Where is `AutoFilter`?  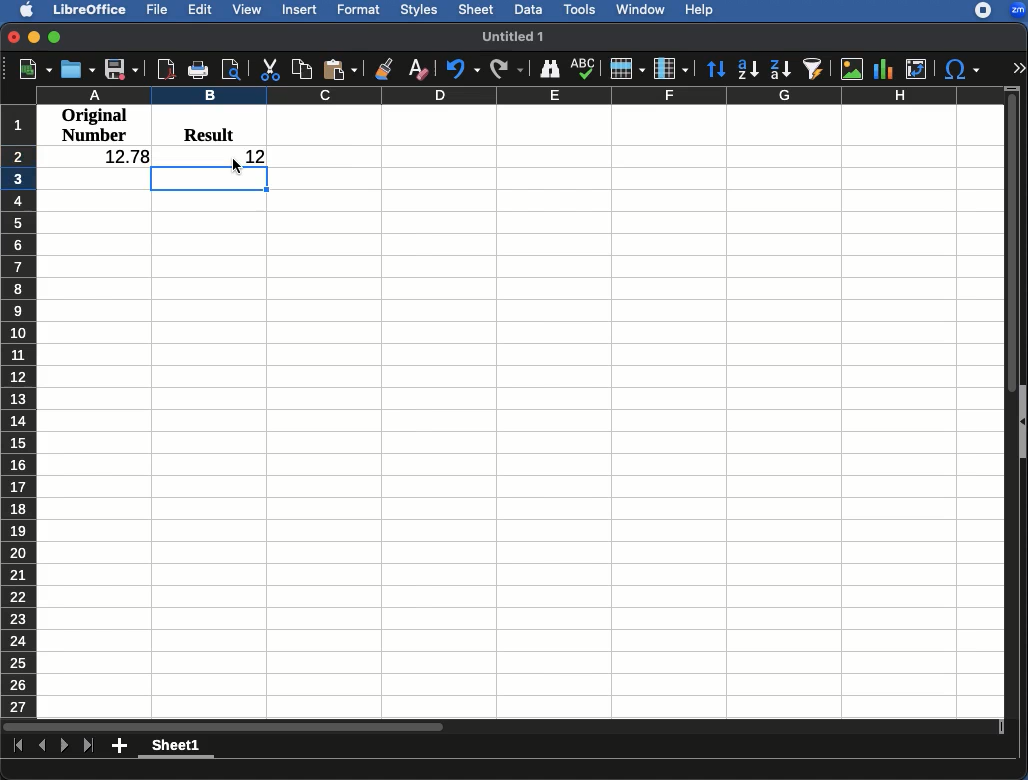 AutoFilter is located at coordinates (813, 68).